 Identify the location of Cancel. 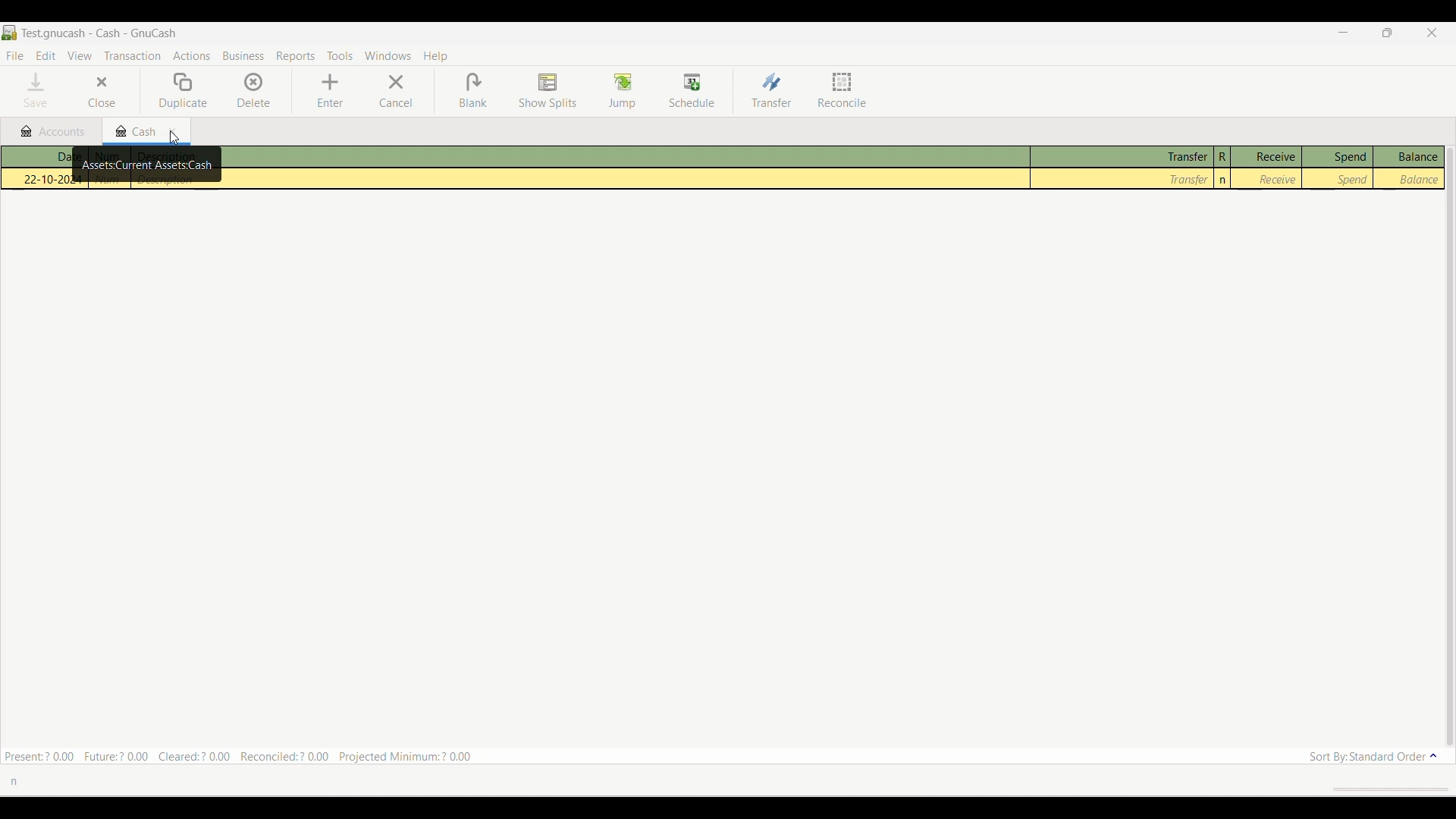
(397, 90).